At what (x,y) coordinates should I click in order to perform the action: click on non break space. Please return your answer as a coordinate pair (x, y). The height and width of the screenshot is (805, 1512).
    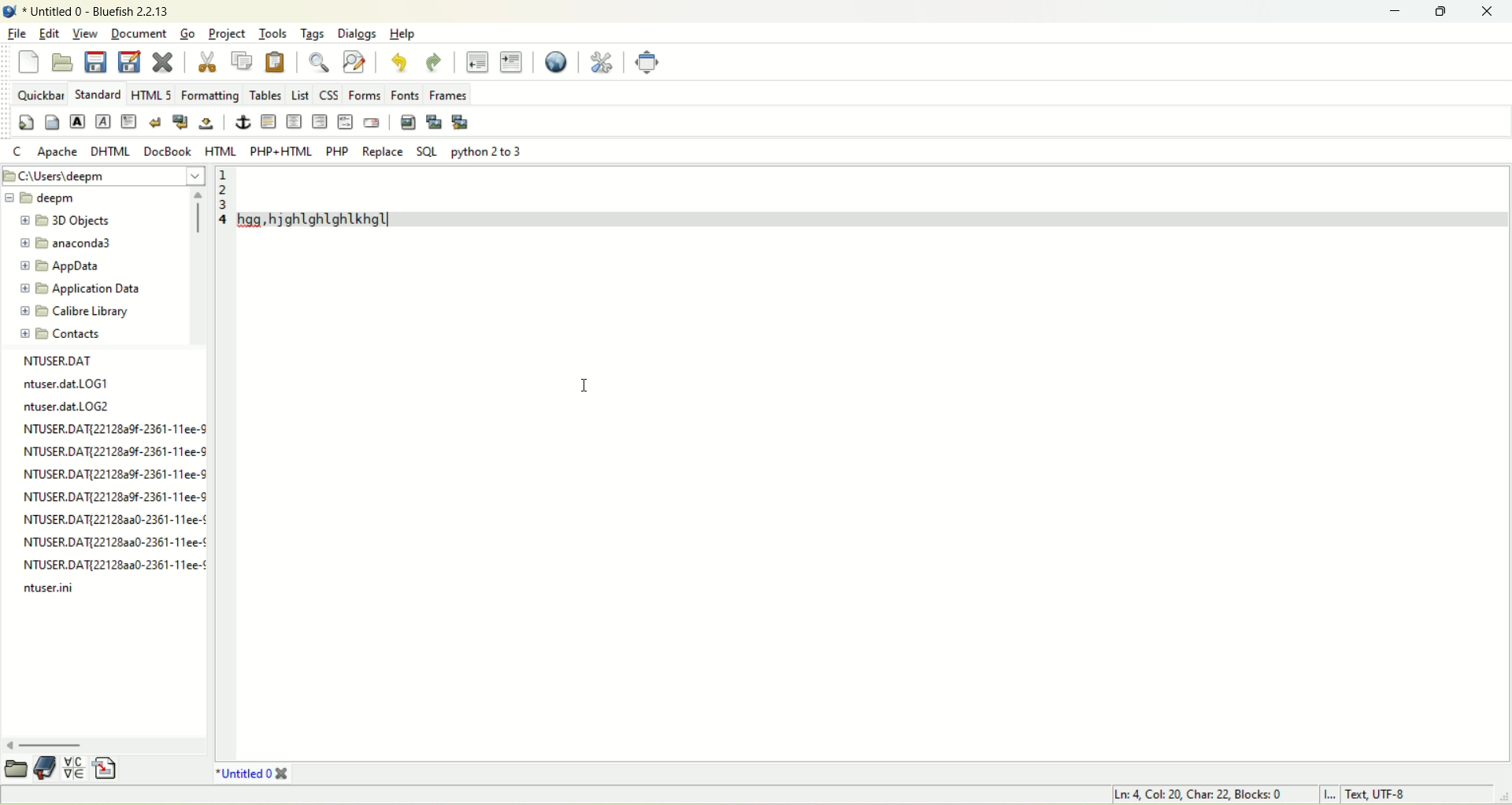
    Looking at the image, I should click on (207, 123).